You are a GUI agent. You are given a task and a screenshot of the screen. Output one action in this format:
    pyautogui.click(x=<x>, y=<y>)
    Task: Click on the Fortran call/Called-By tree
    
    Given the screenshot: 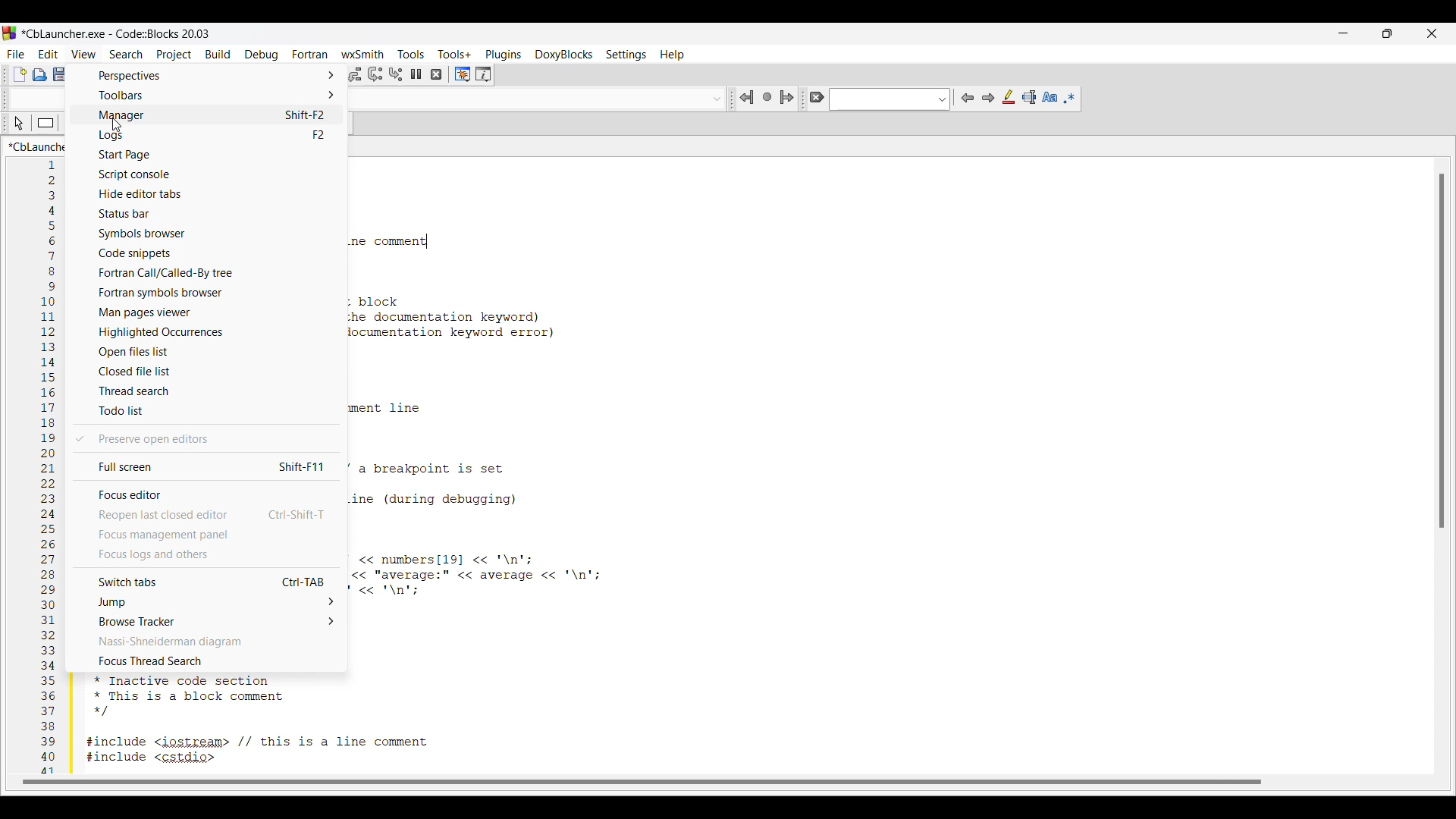 What is the action you would take?
    pyautogui.click(x=209, y=273)
    